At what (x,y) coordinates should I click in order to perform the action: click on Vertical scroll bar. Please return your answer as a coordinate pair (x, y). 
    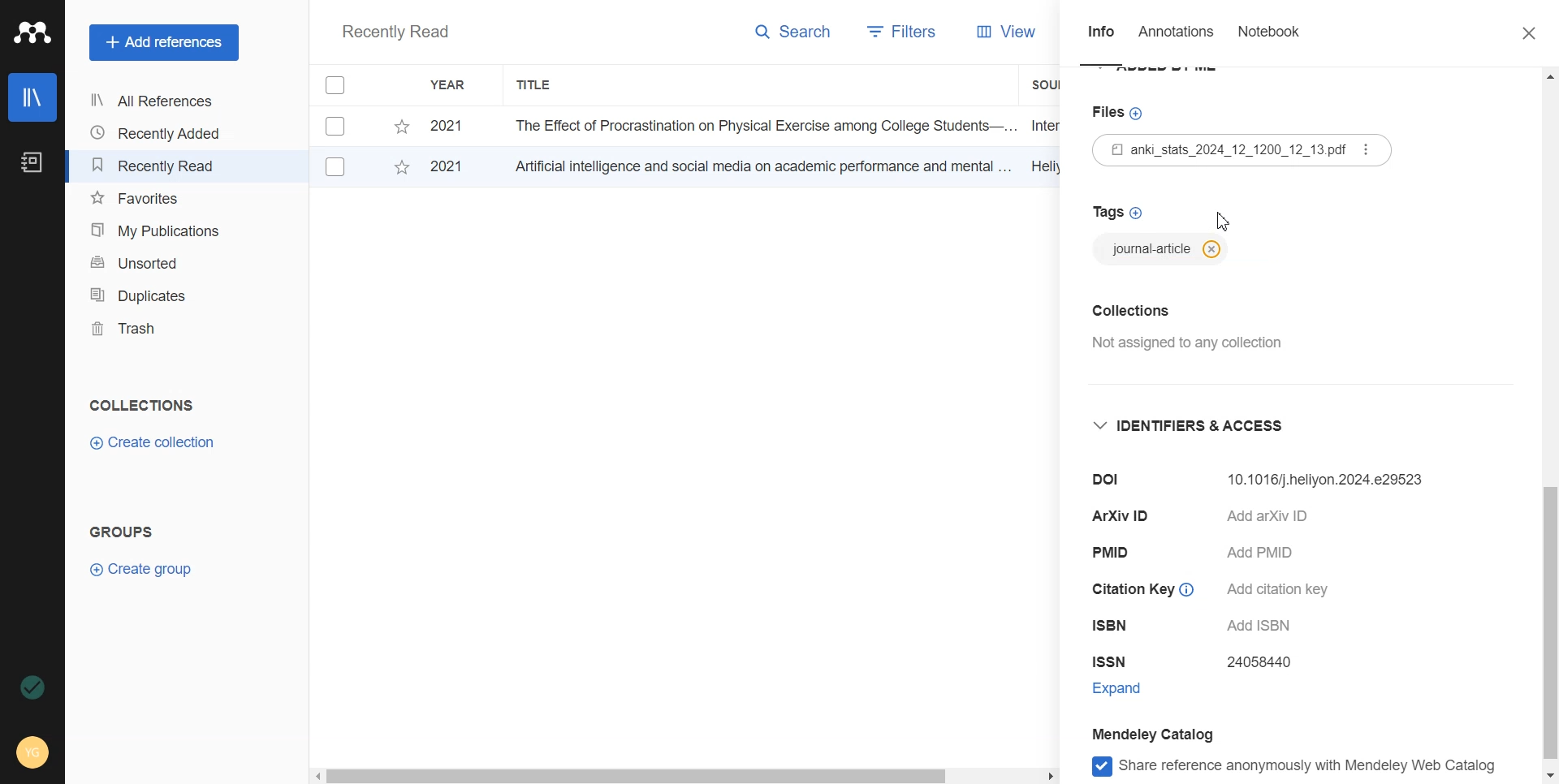
    Looking at the image, I should click on (1549, 426).